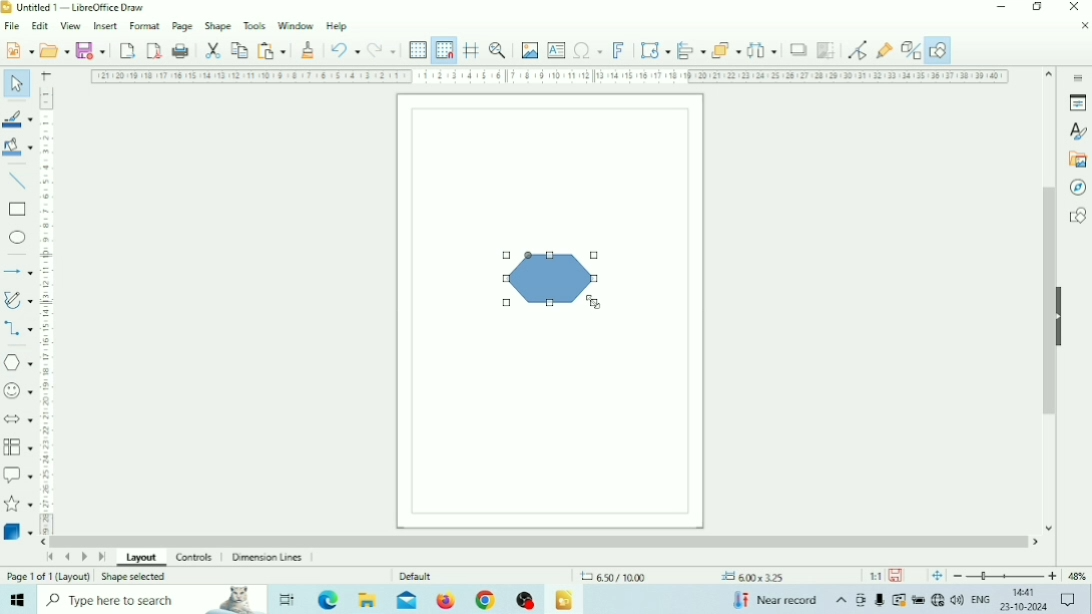  I want to click on Insert Line, so click(18, 182).